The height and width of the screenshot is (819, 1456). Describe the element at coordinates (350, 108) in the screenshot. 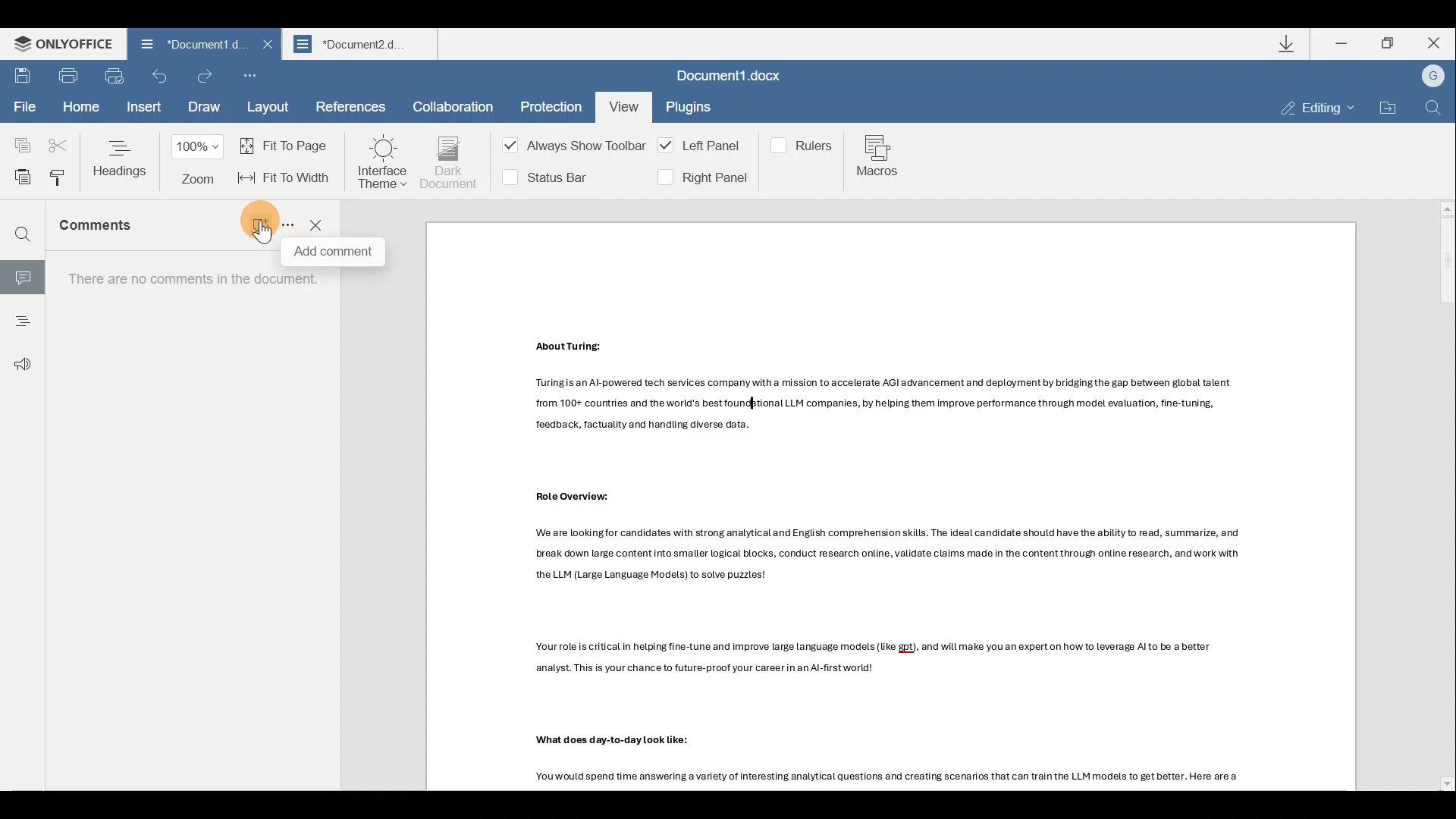

I see `References` at that location.